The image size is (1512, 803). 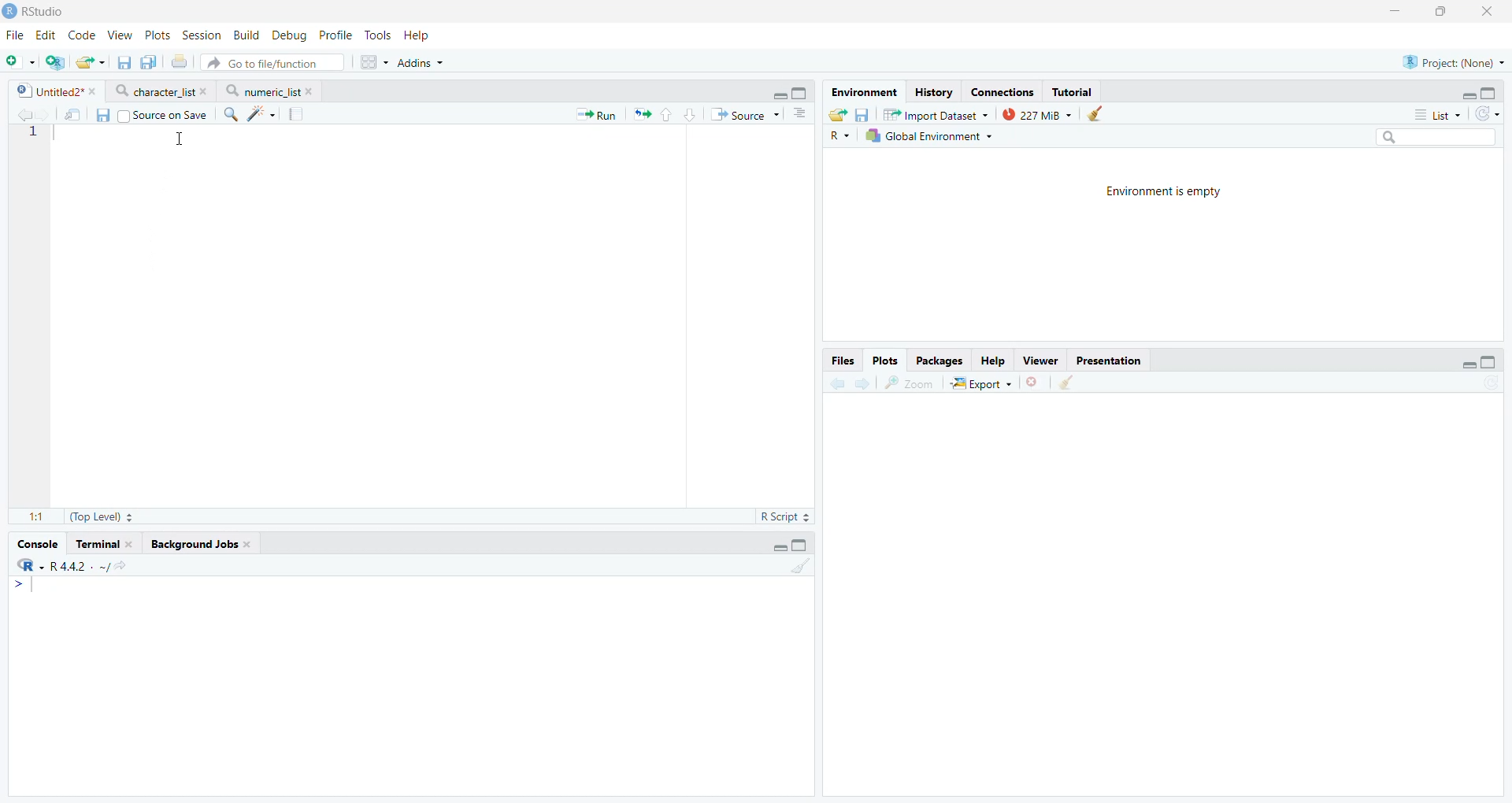 What do you see at coordinates (420, 35) in the screenshot?
I see `Help` at bounding box center [420, 35].